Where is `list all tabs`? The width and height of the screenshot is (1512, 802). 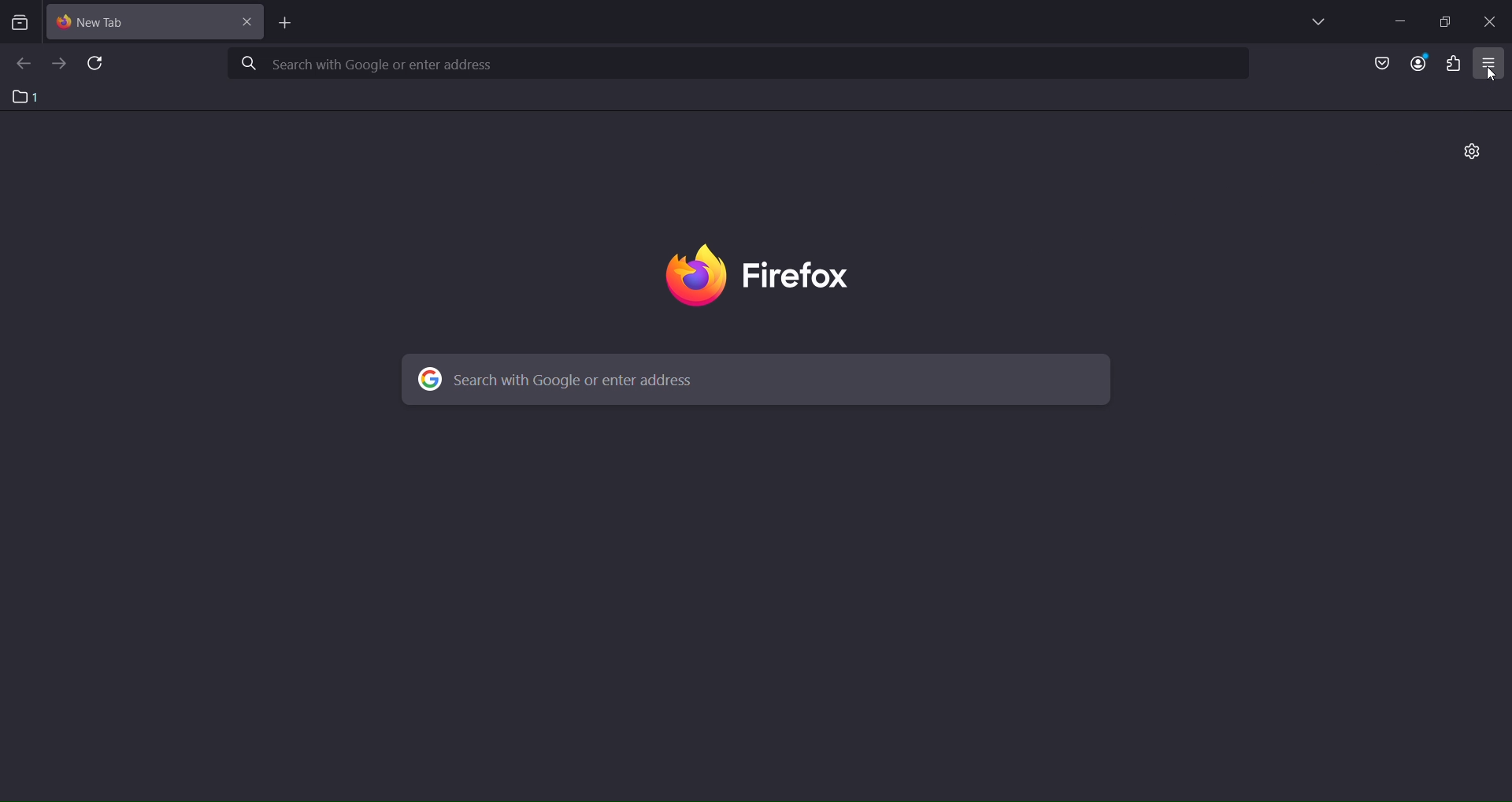
list all tabs is located at coordinates (1315, 22).